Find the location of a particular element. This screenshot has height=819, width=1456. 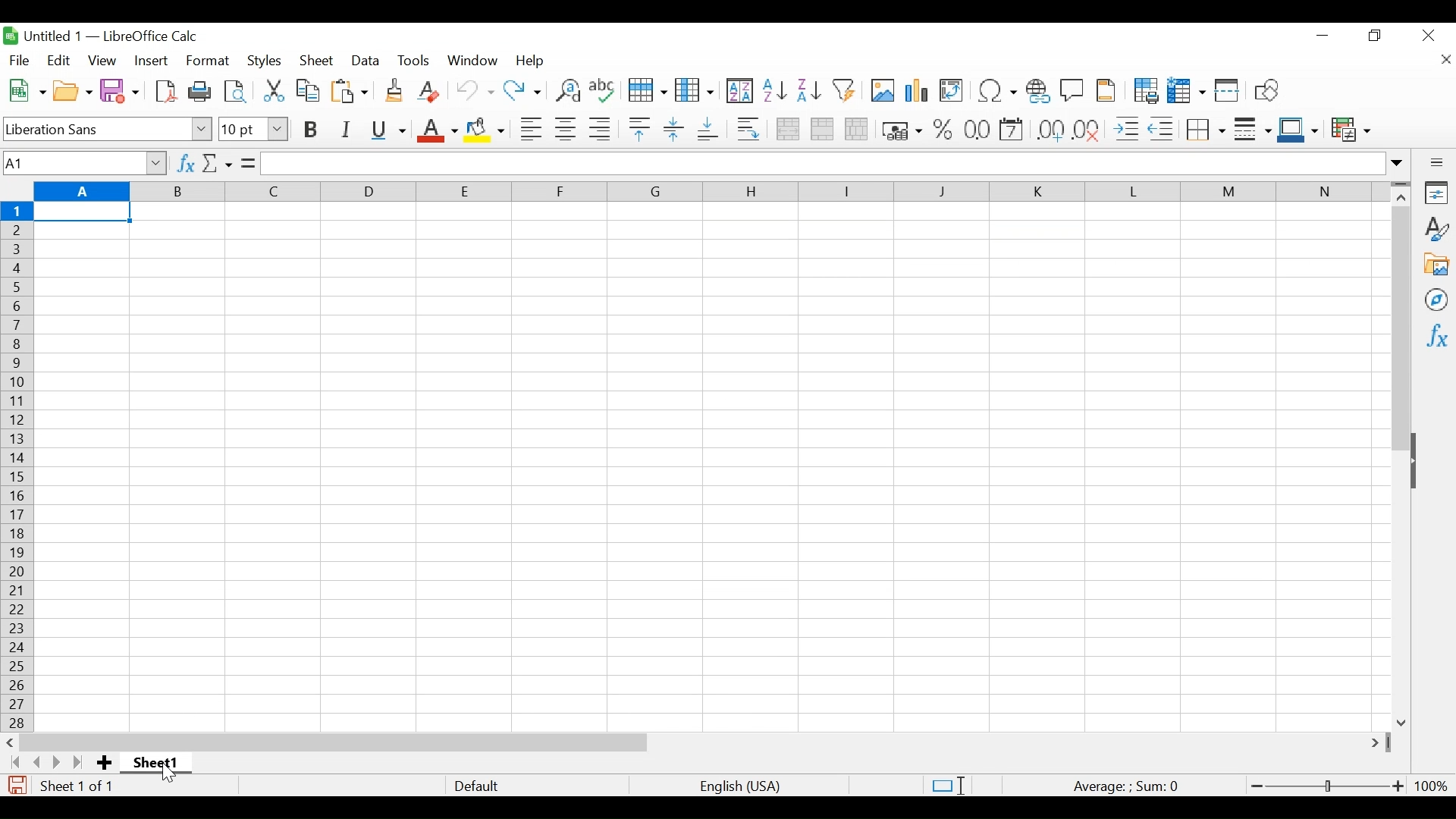

Align Bottom is located at coordinates (707, 130).